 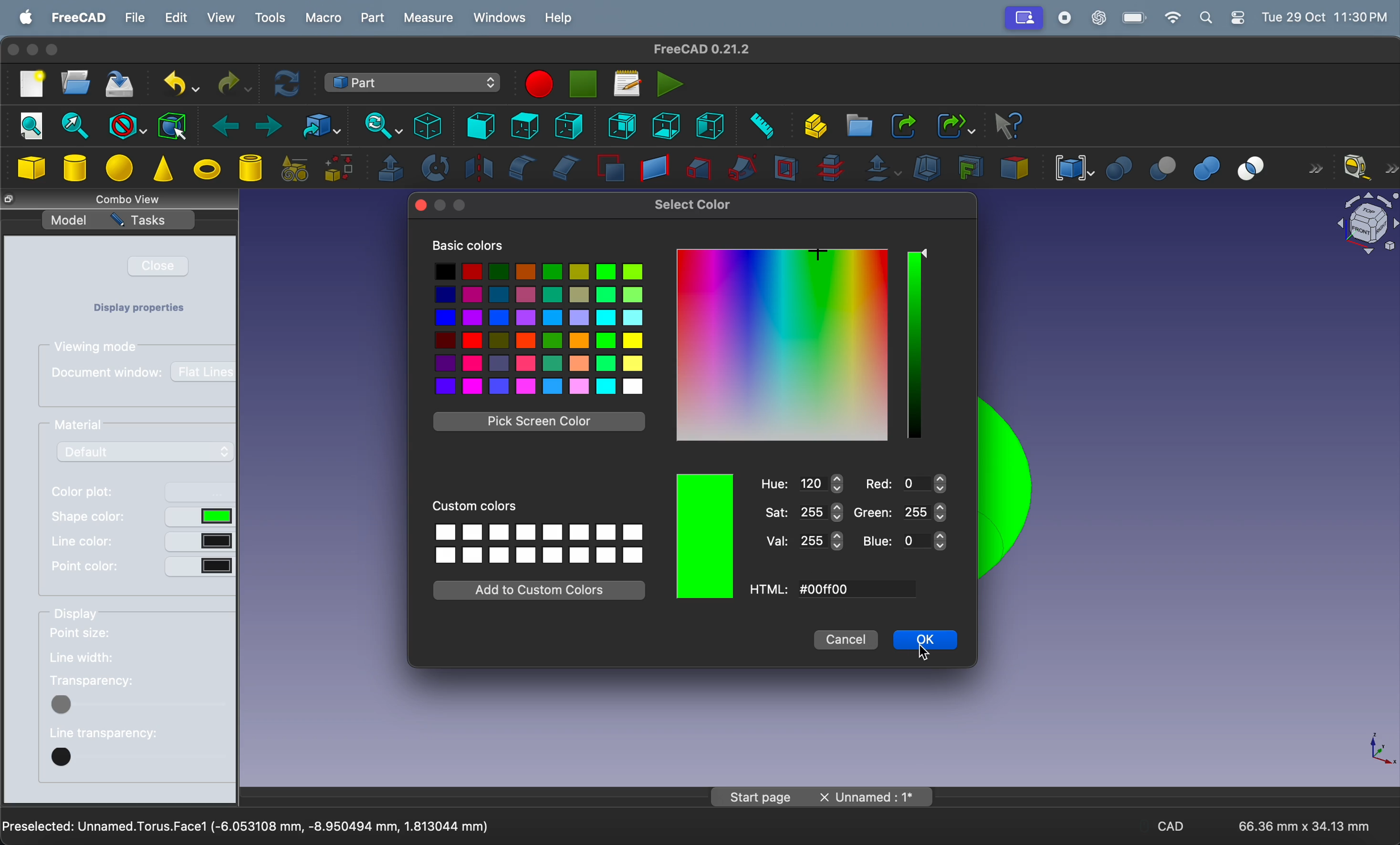 I want to click on sweep, so click(x=742, y=166).